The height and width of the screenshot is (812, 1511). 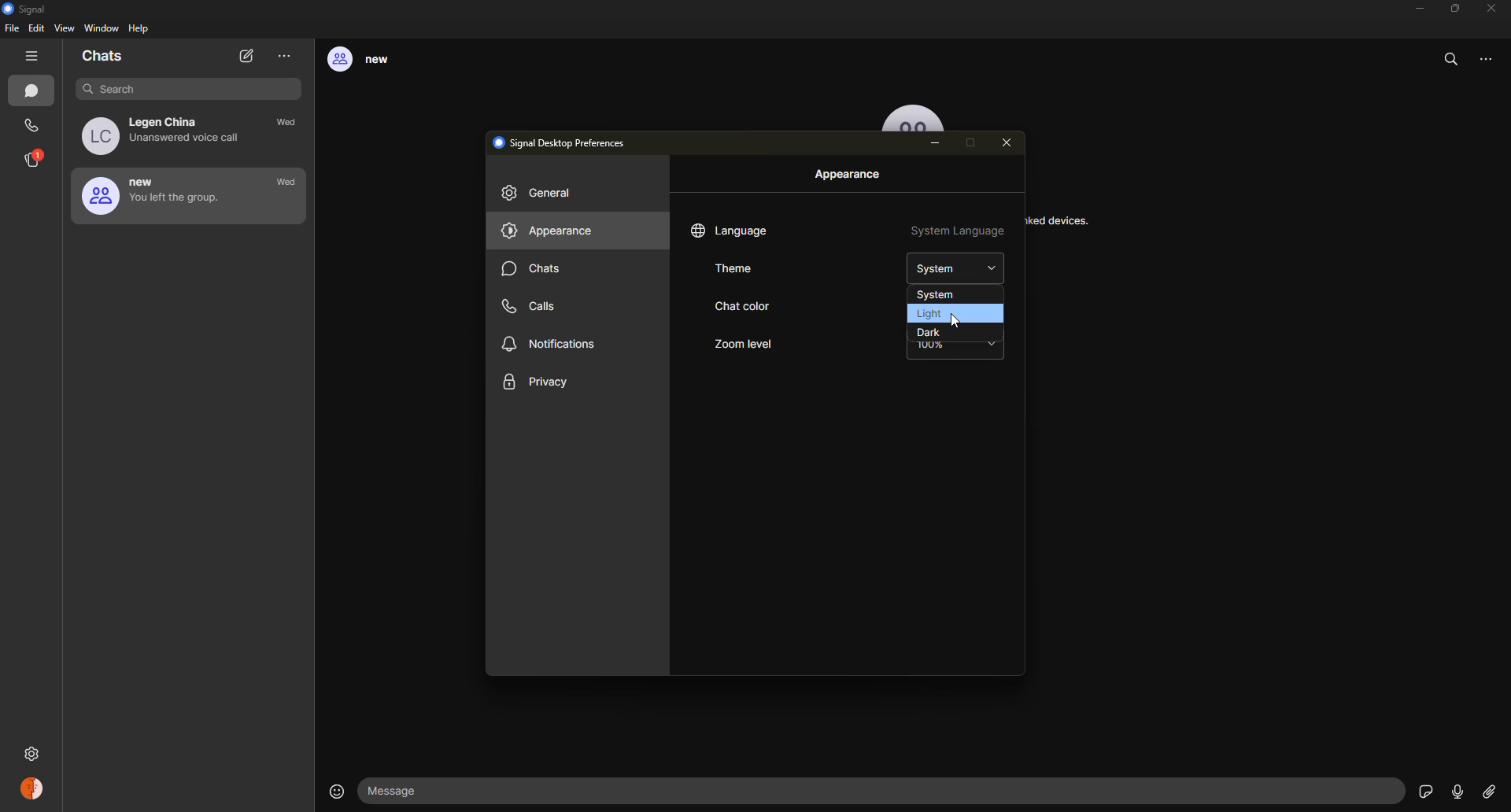 What do you see at coordinates (956, 267) in the screenshot?
I see `System` at bounding box center [956, 267].